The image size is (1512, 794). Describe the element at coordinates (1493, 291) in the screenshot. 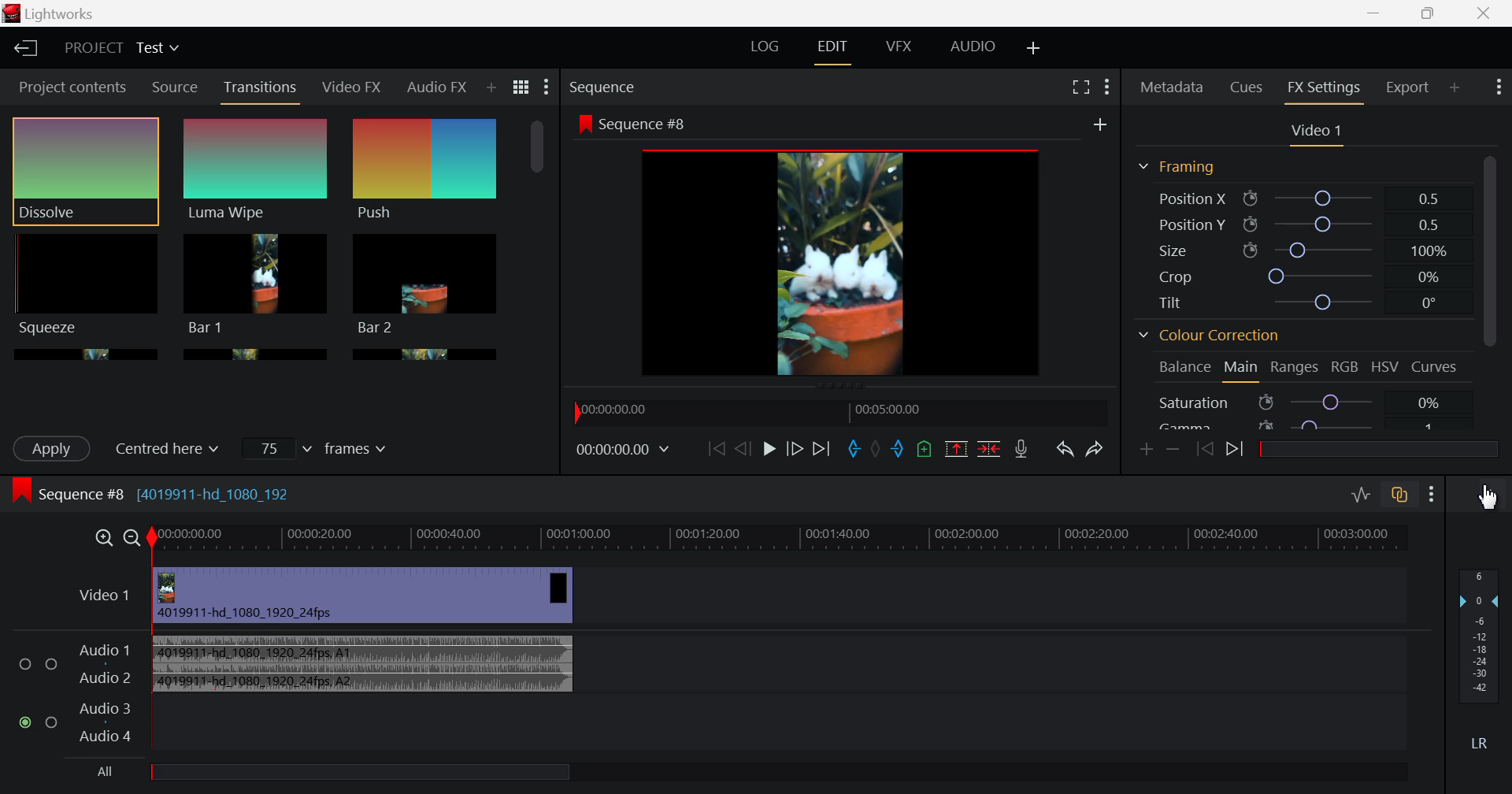

I see `Scroll Bar` at that location.